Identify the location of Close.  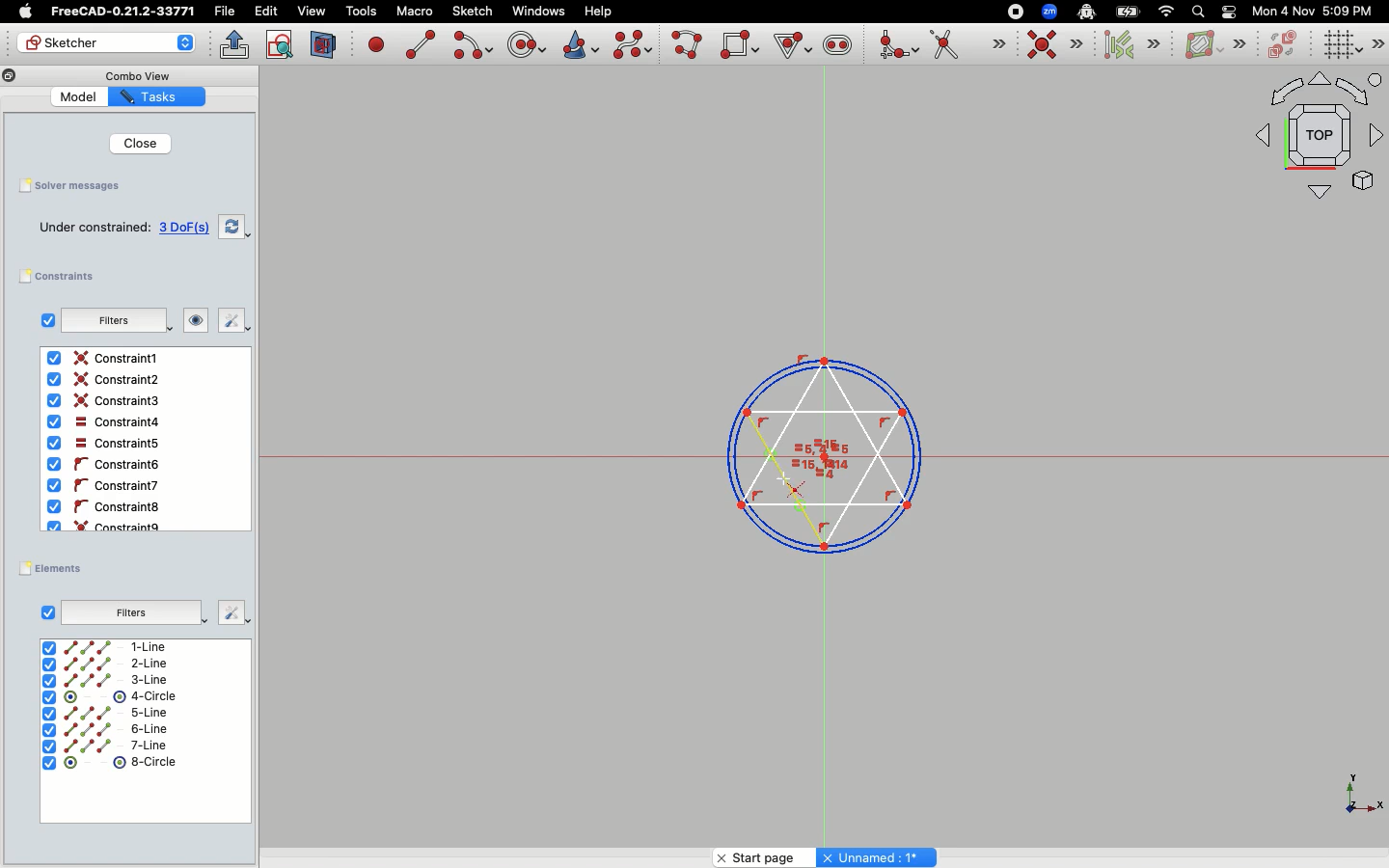
(135, 143).